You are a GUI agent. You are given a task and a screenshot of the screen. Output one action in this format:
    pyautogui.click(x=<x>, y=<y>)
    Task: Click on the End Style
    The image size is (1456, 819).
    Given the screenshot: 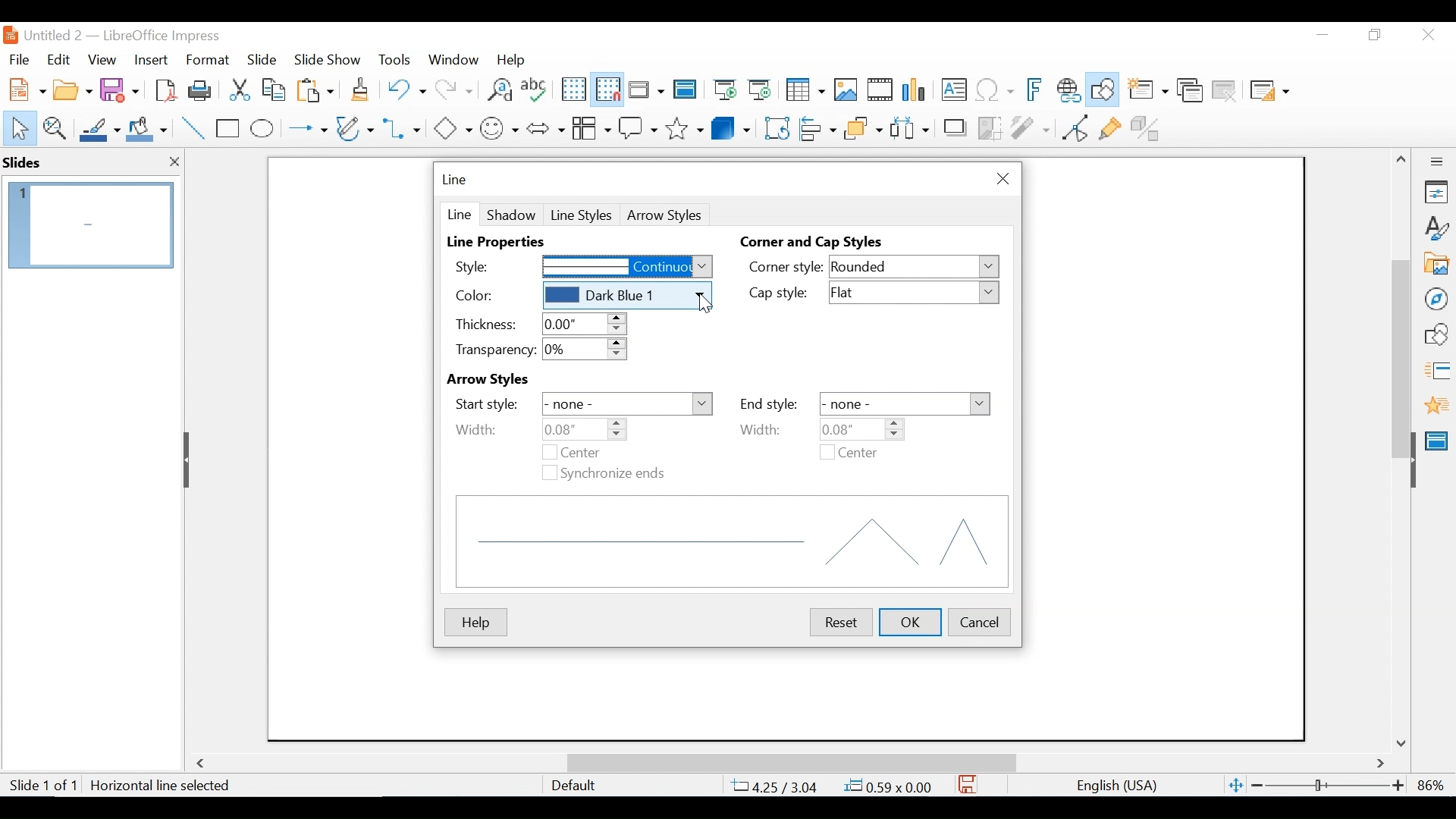 What is the action you would take?
    pyautogui.click(x=768, y=404)
    